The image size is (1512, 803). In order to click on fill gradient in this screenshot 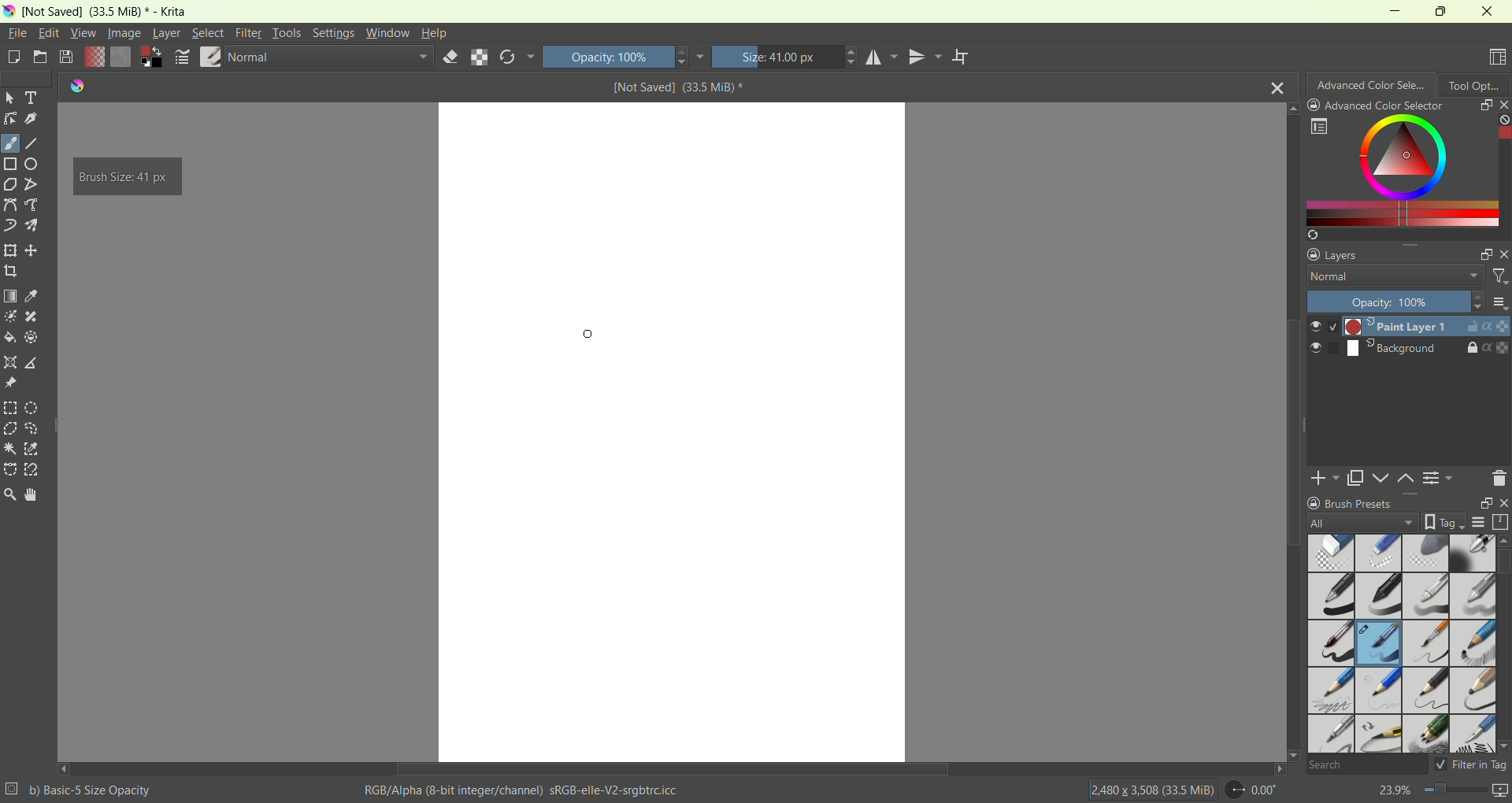, I will do `click(94, 58)`.